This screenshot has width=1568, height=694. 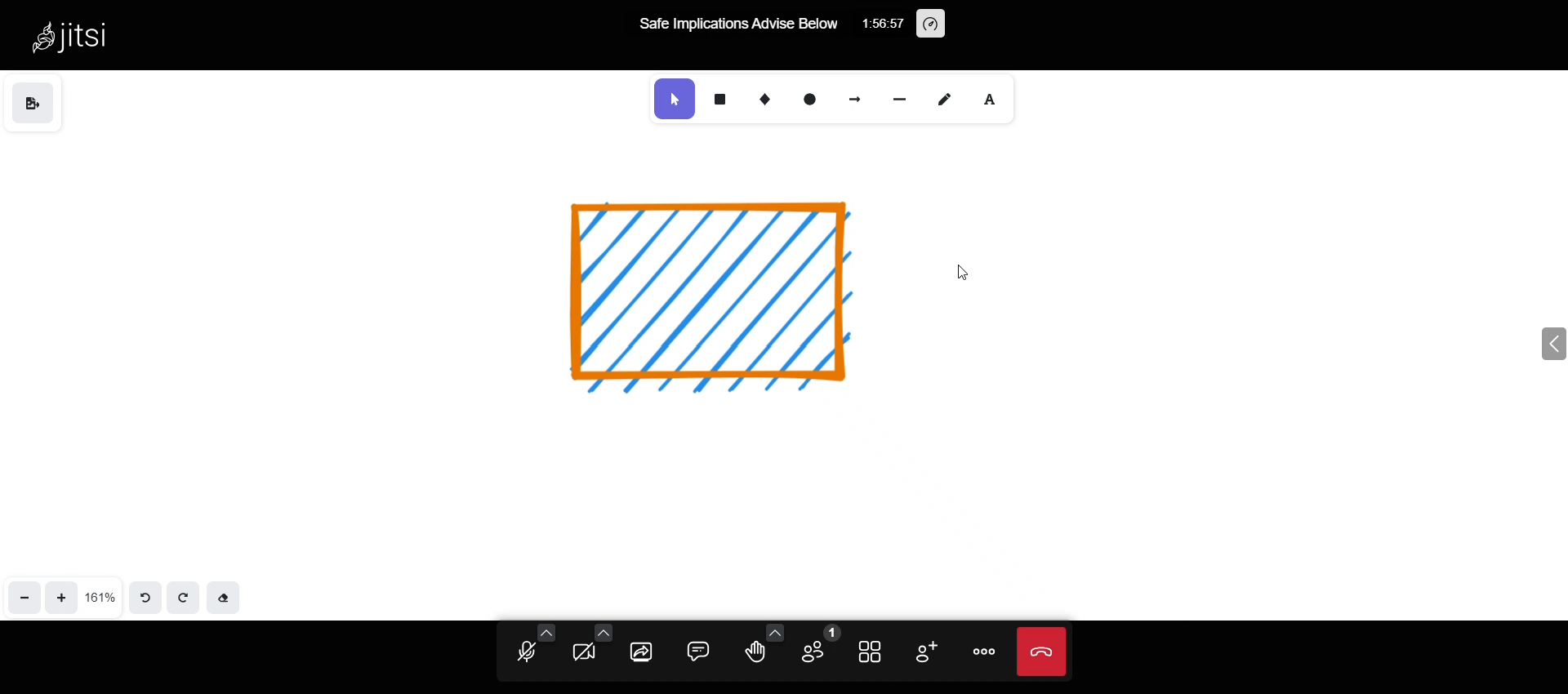 What do you see at coordinates (596, 628) in the screenshot?
I see `video setting` at bounding box center [596, 628].